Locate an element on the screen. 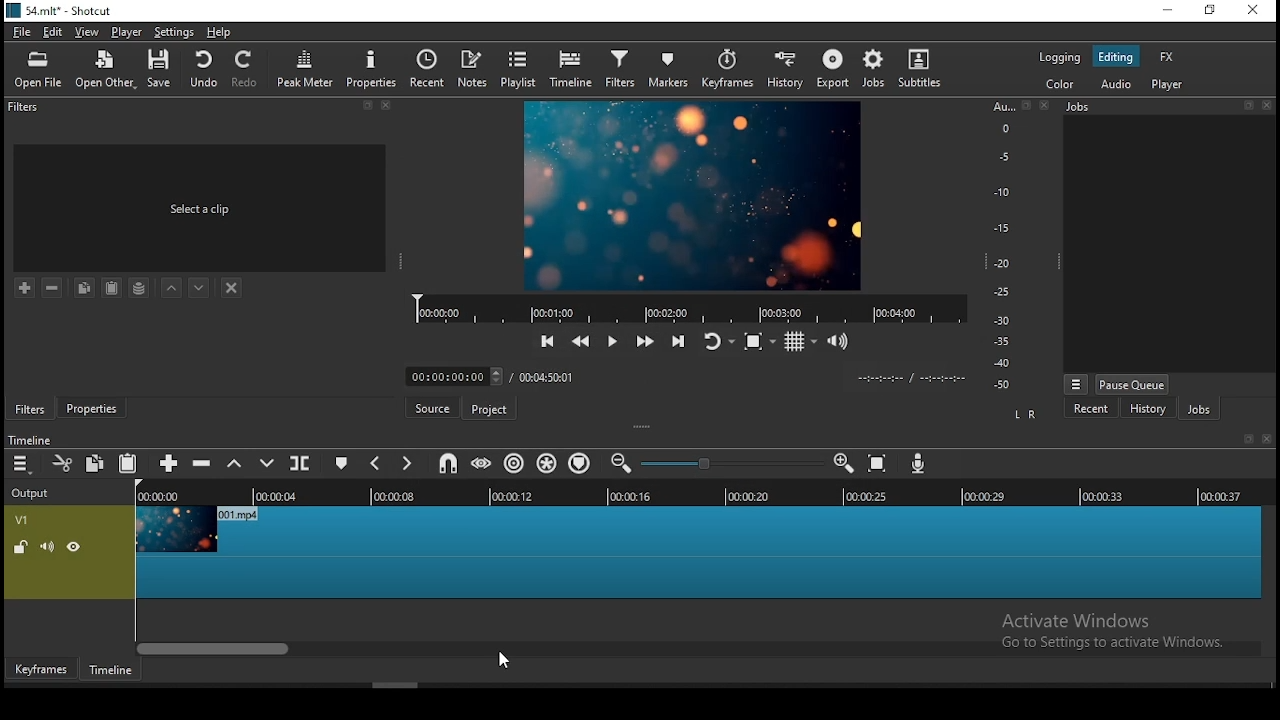 The width and height of the screenshot is (1280, 720). editing is located at coordinates (1116, 57).